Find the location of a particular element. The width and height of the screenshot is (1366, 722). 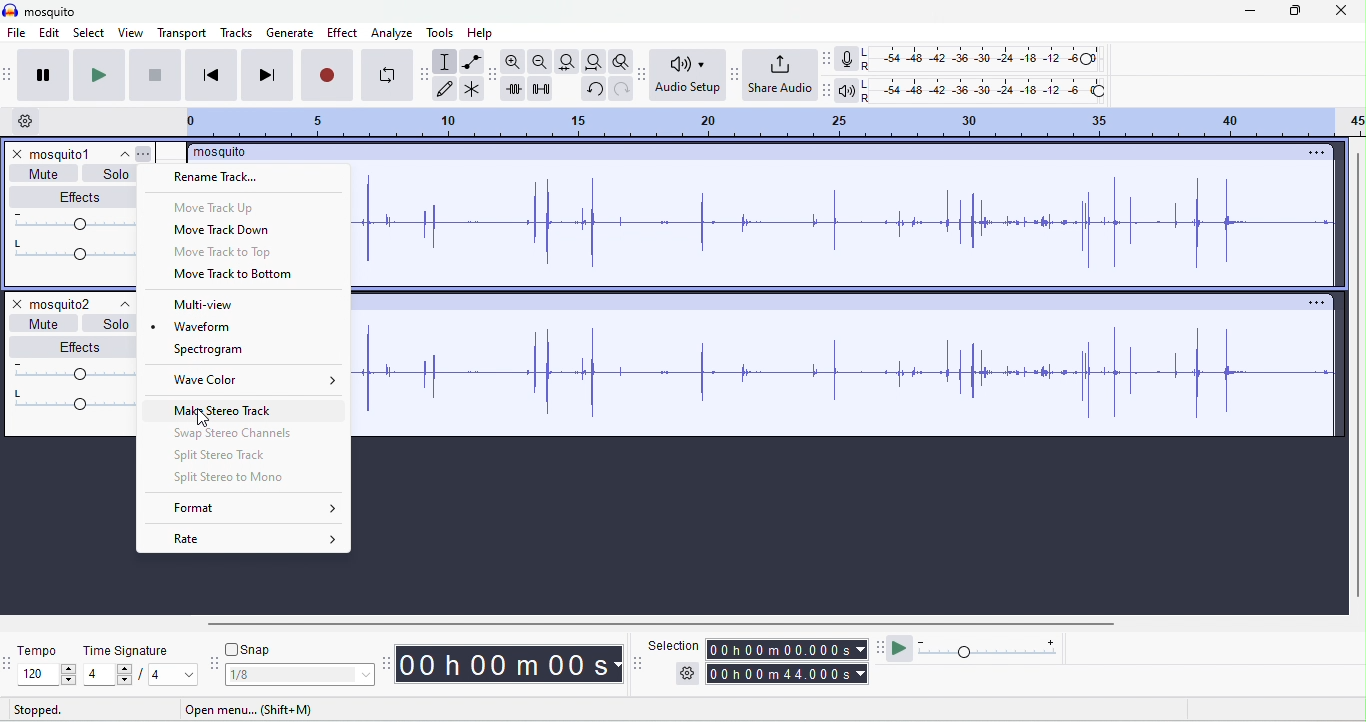

effect is located at coordinates (342, 34).